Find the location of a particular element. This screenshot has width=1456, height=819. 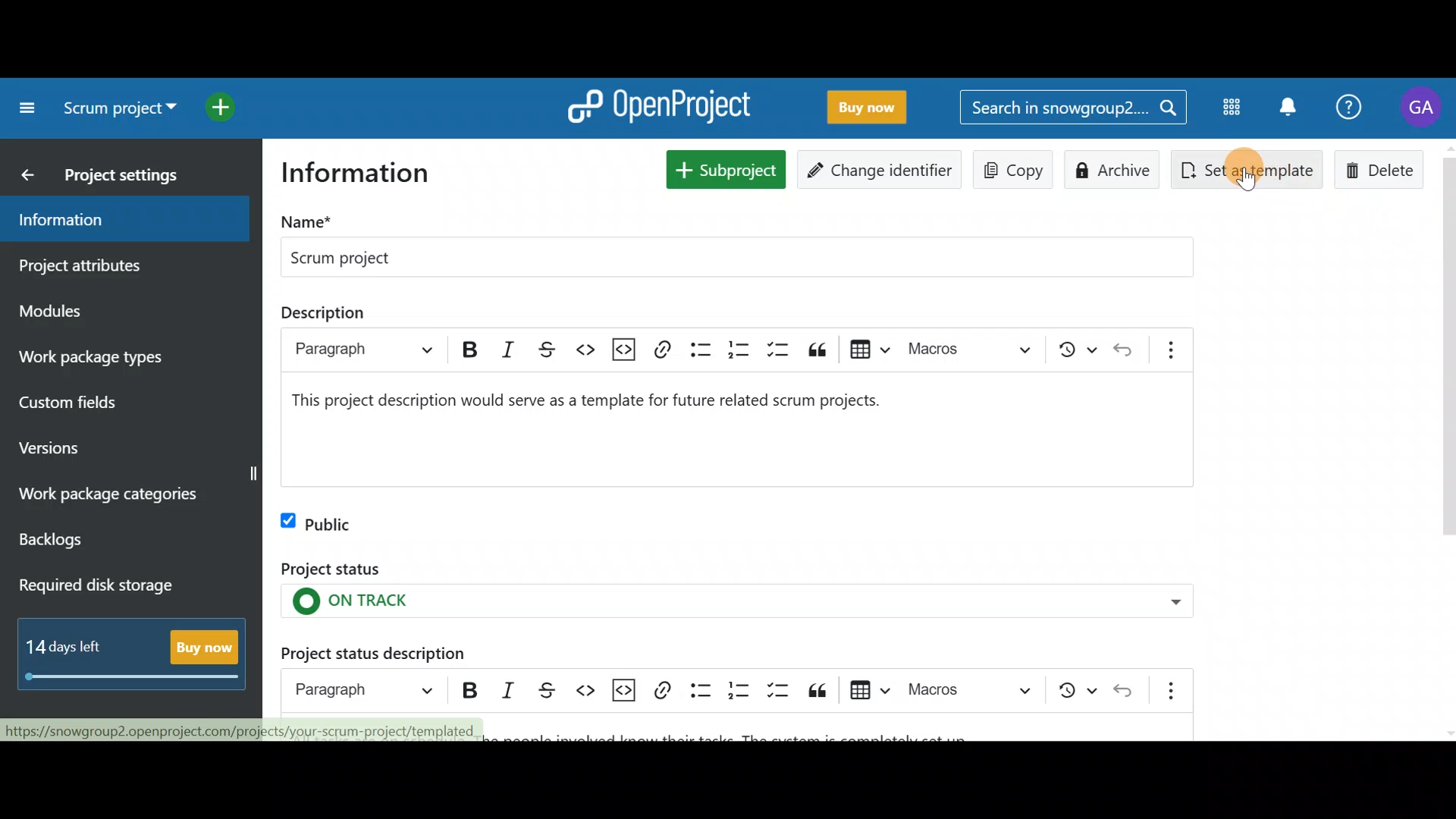

Project settings is located at coordinates (115, 173).